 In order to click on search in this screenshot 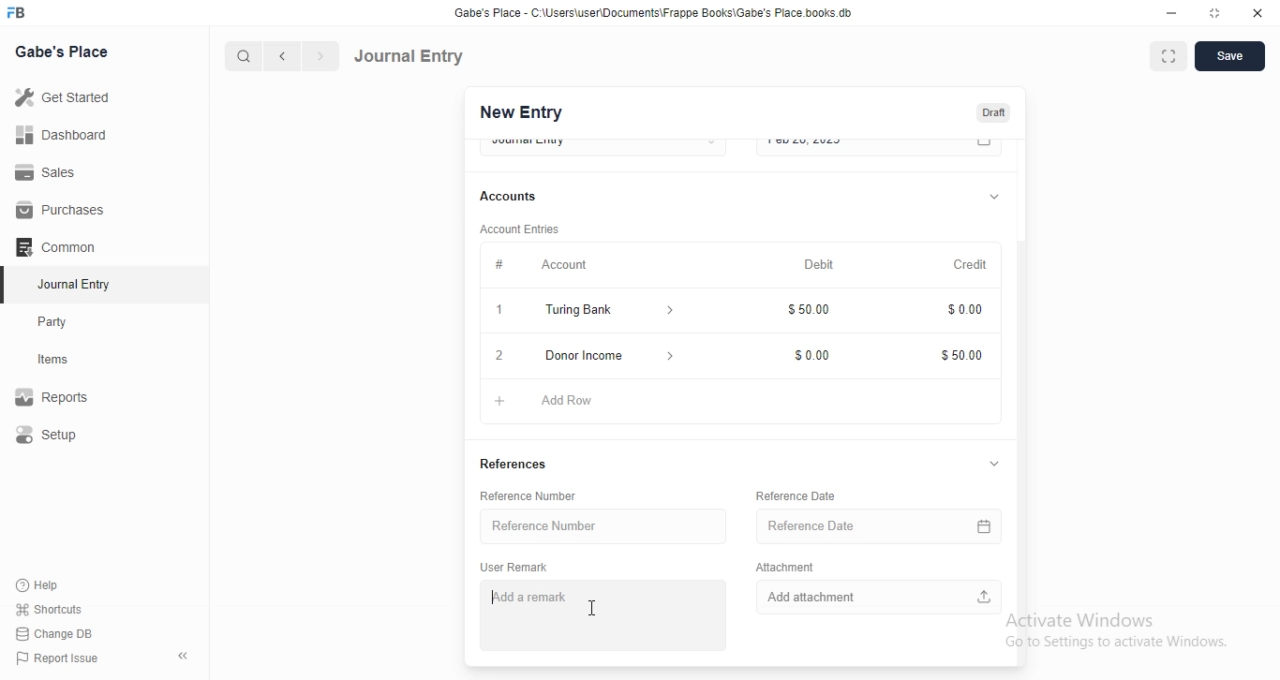, I will do `click(245, 56)`.